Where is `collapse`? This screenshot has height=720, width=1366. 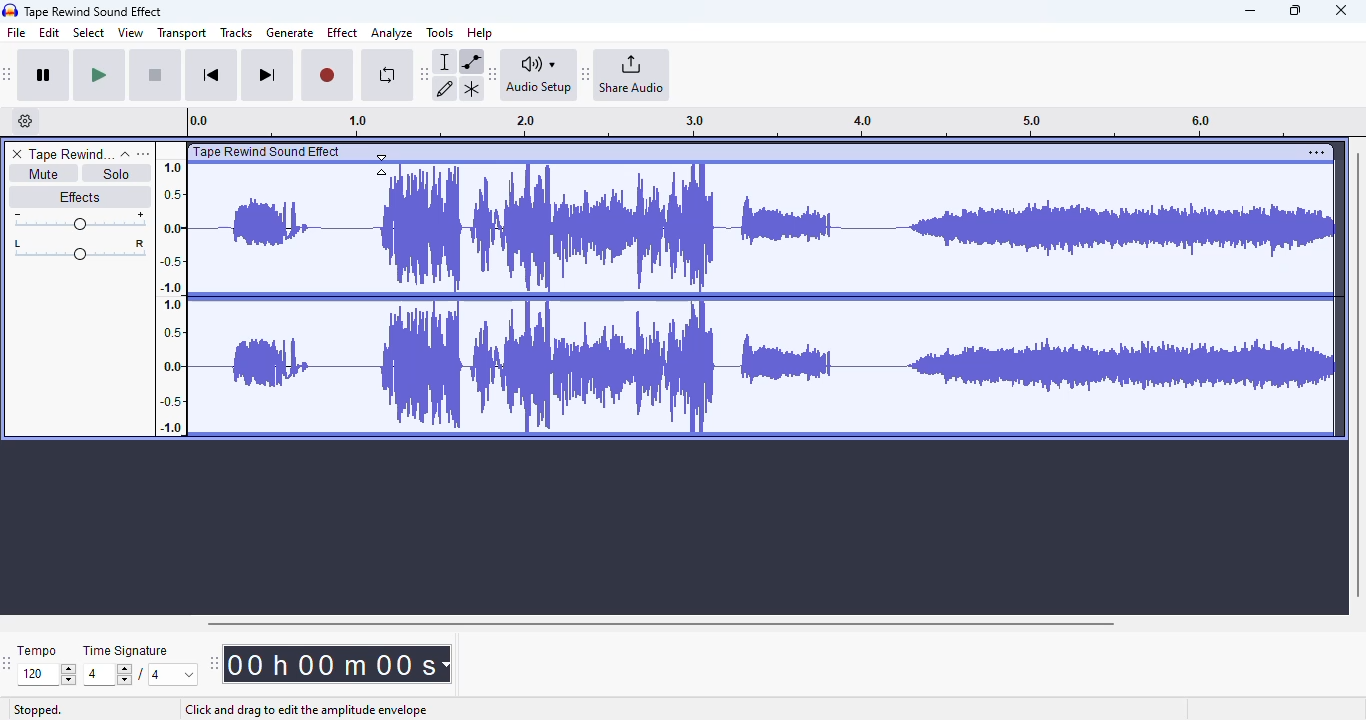
collapse is located at coordinates (125, 154).